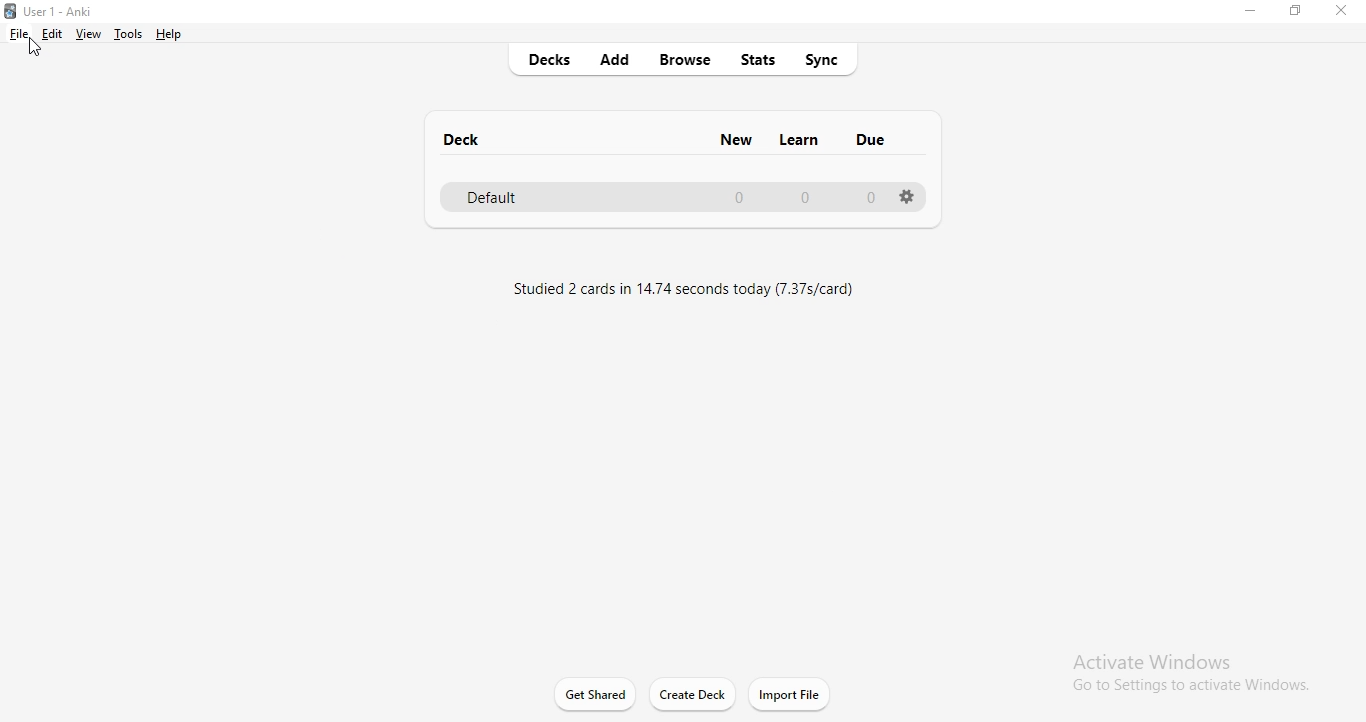 This screenshot has width=1366, height=722. I want to click on import file, so click(790, 694).